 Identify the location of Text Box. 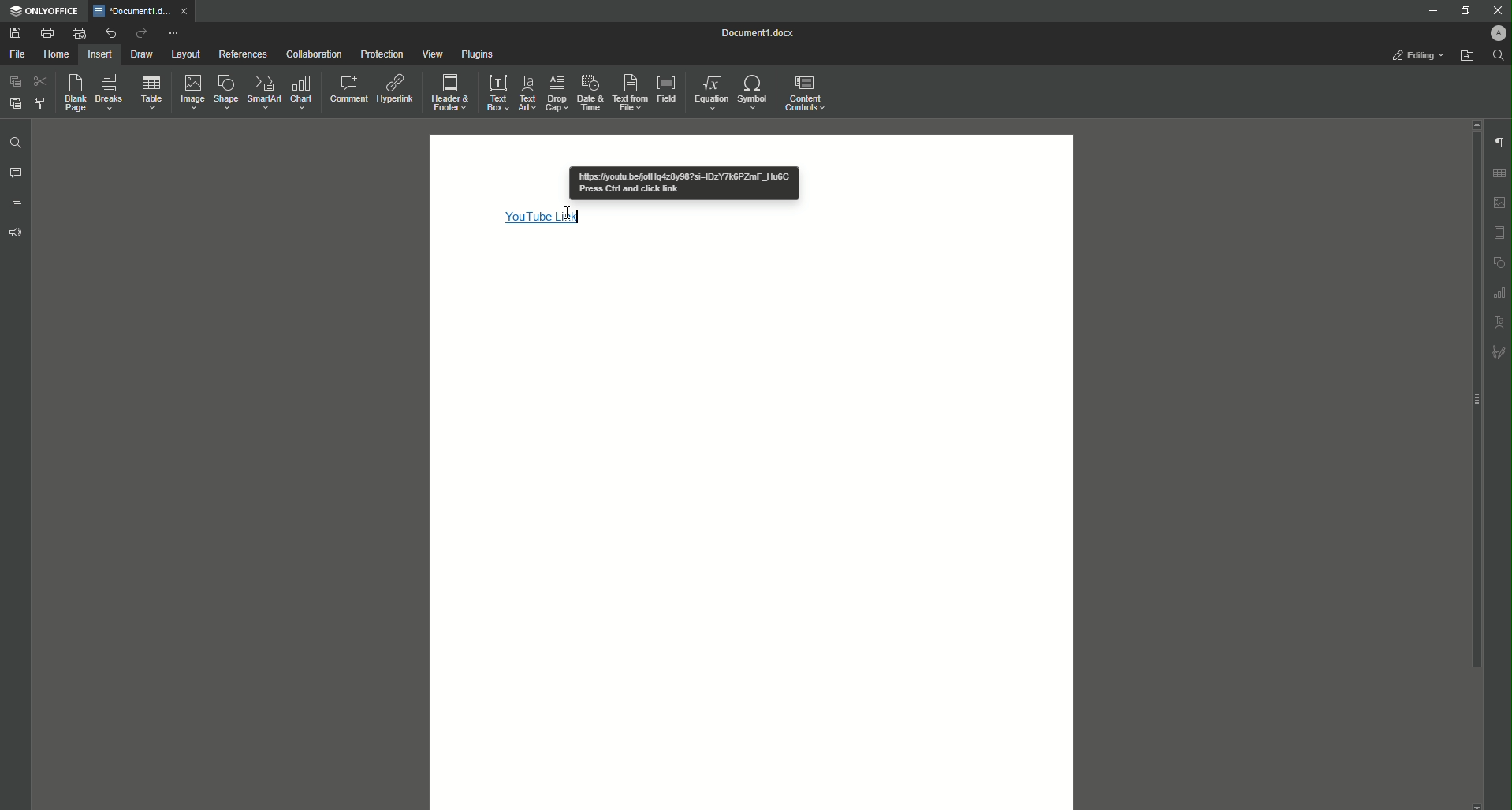
(497, 92).